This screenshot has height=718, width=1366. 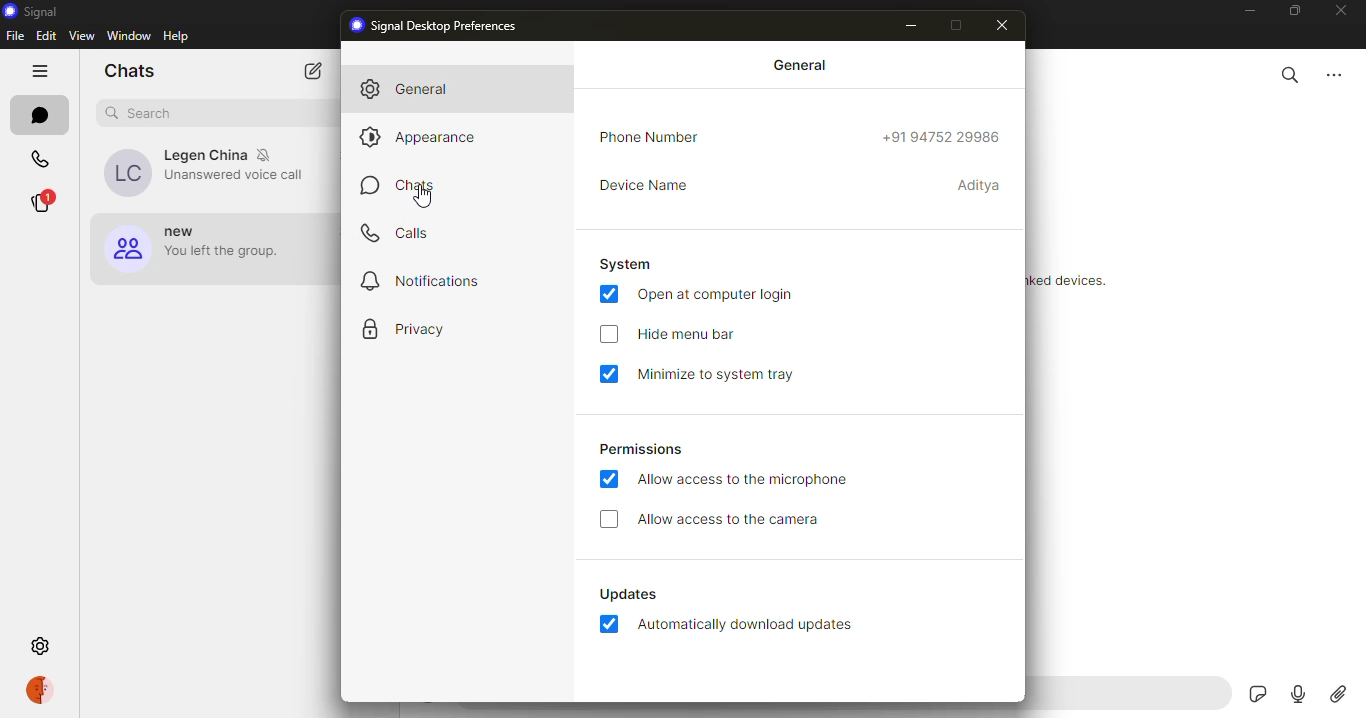 I want to click on phone number, so click(x=653, y=136).